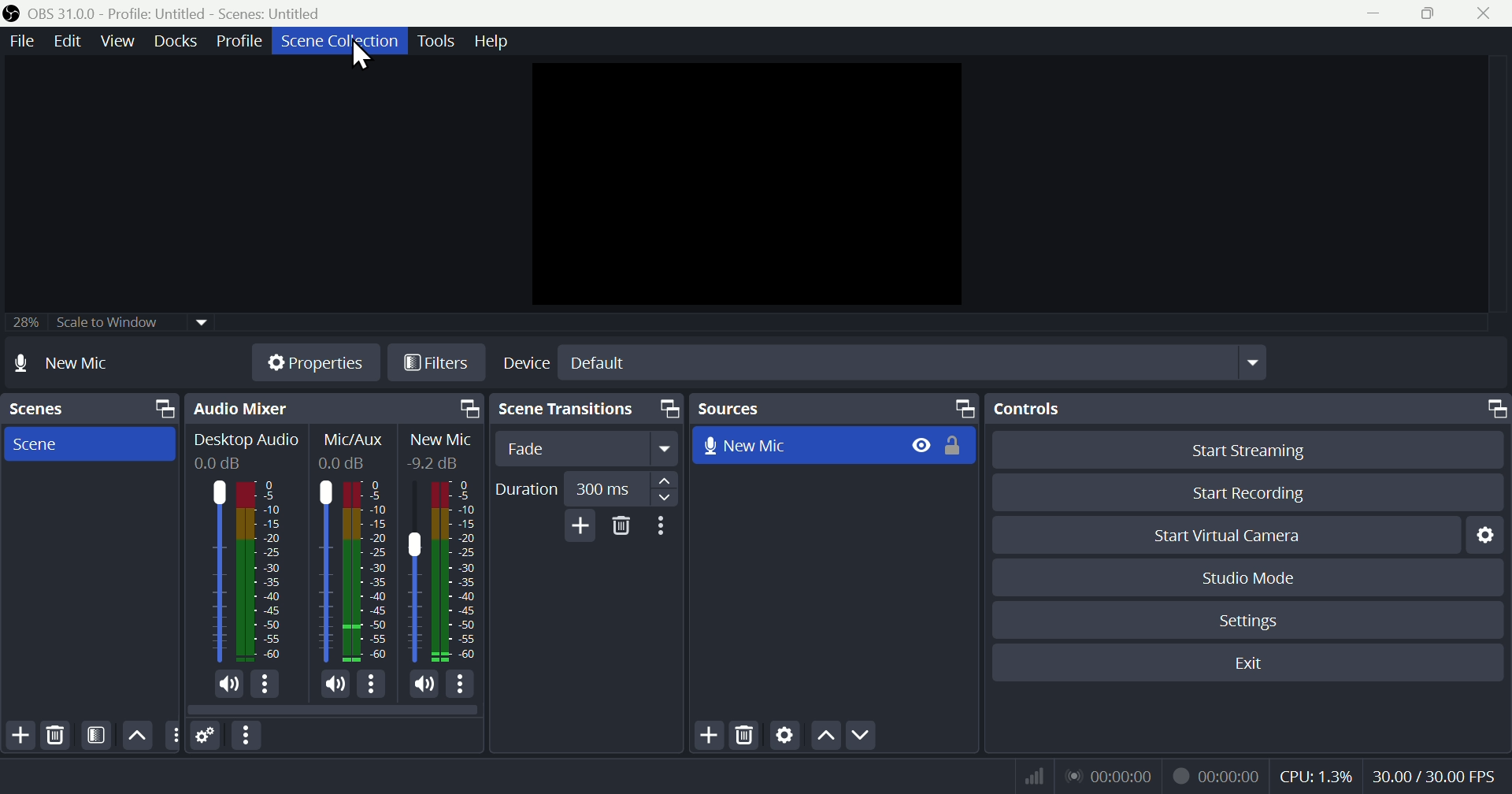 The height and width of the screenshot is (794, 1512). What do you see at coordinates (588, 406) in the screenshot?
I see `scene Transitions` at bounding box center [588, 406].